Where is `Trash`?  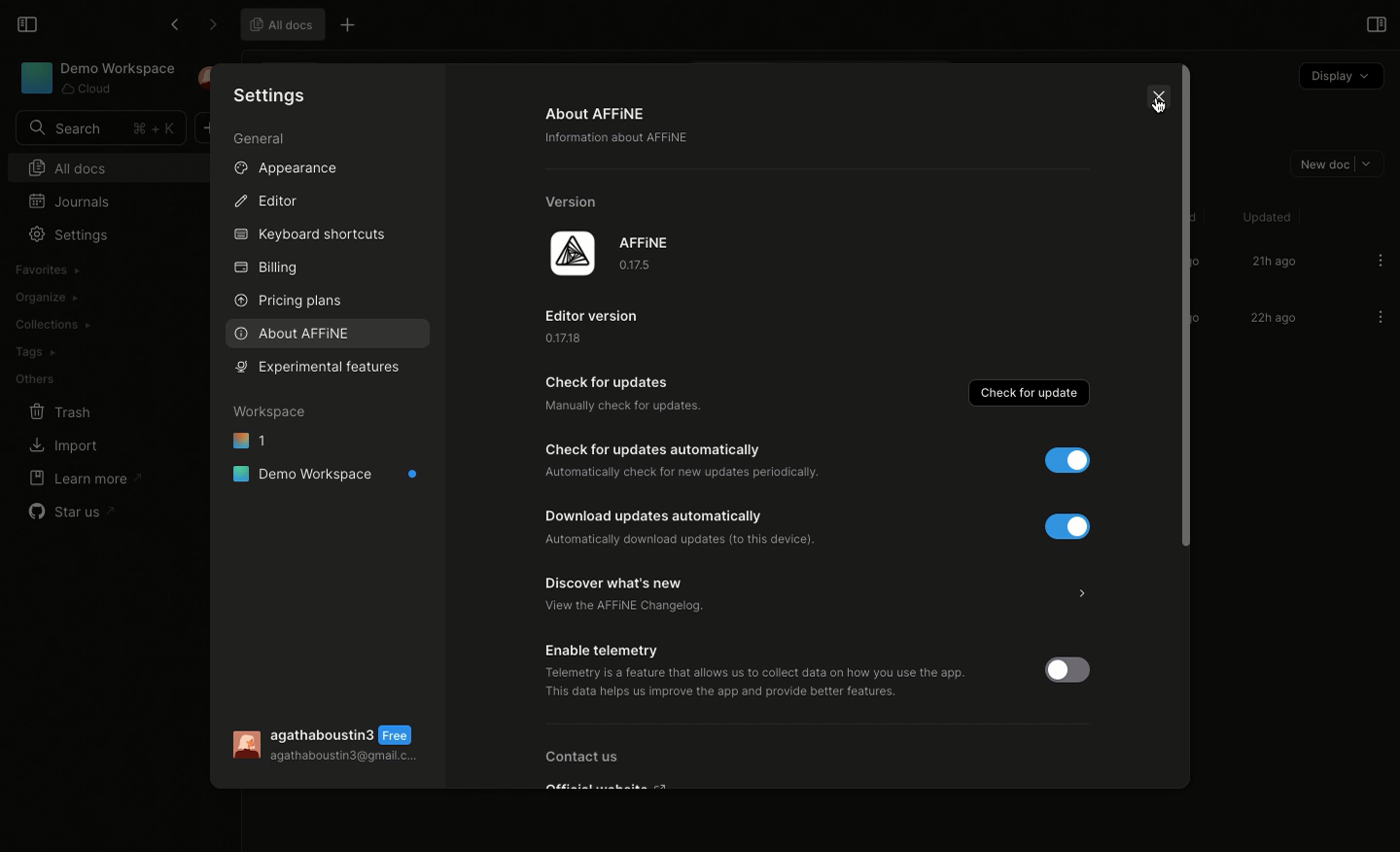
Trash is located at coordinates (60, 412).